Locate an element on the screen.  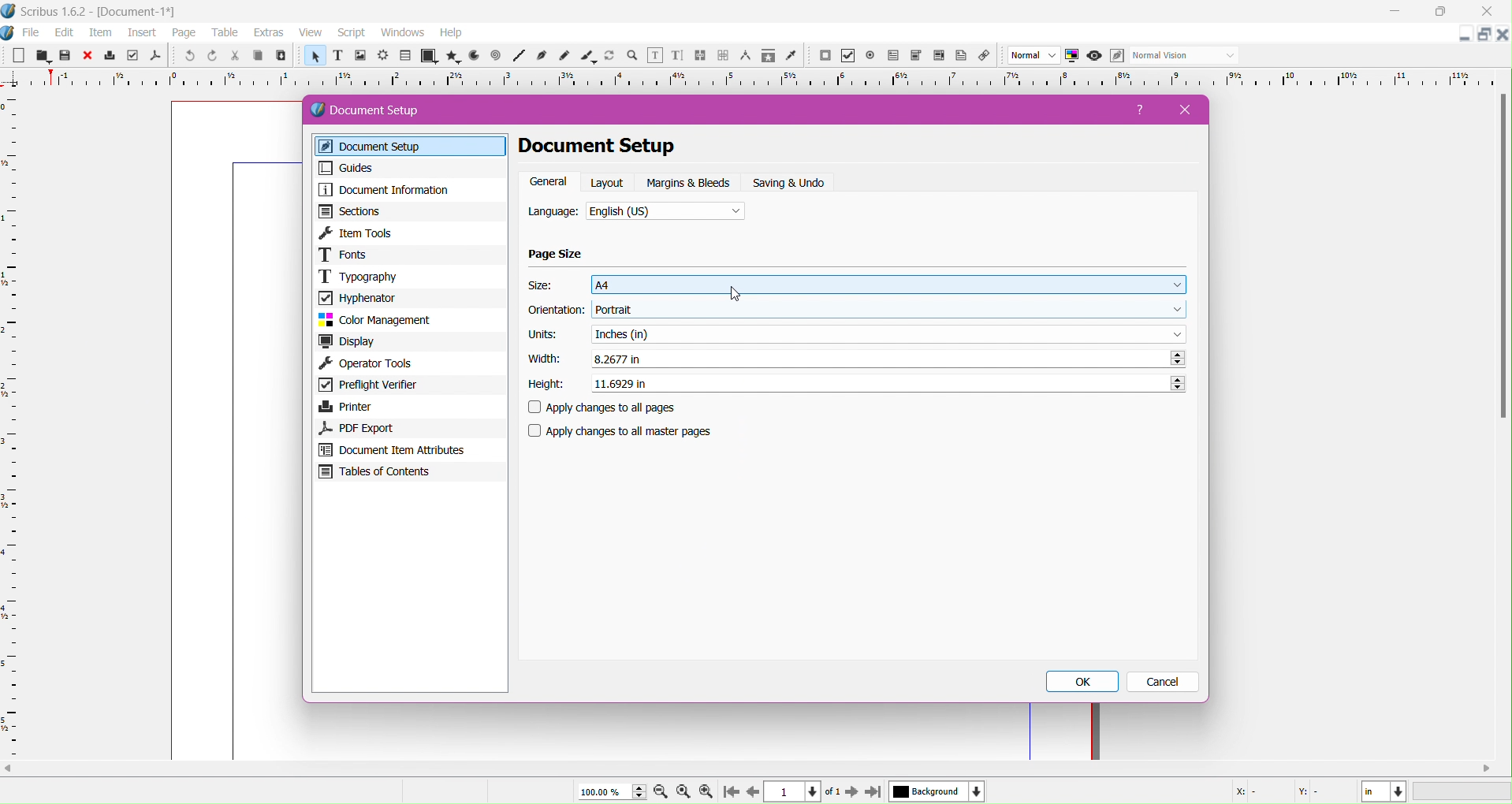
Typography is located at coordinates (411, 276).